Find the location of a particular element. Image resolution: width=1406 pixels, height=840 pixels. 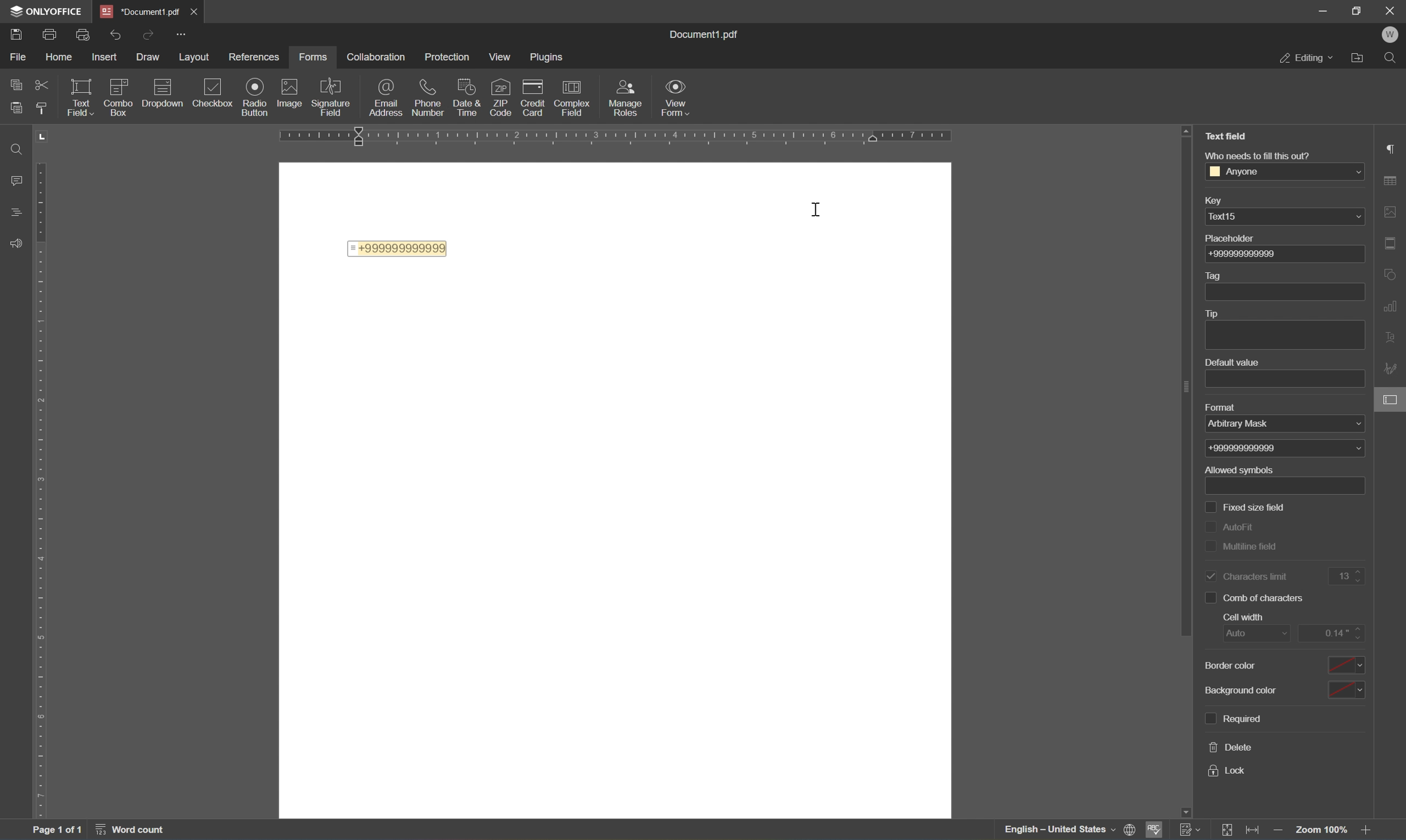

cursor is located at coordinates (819, 211).